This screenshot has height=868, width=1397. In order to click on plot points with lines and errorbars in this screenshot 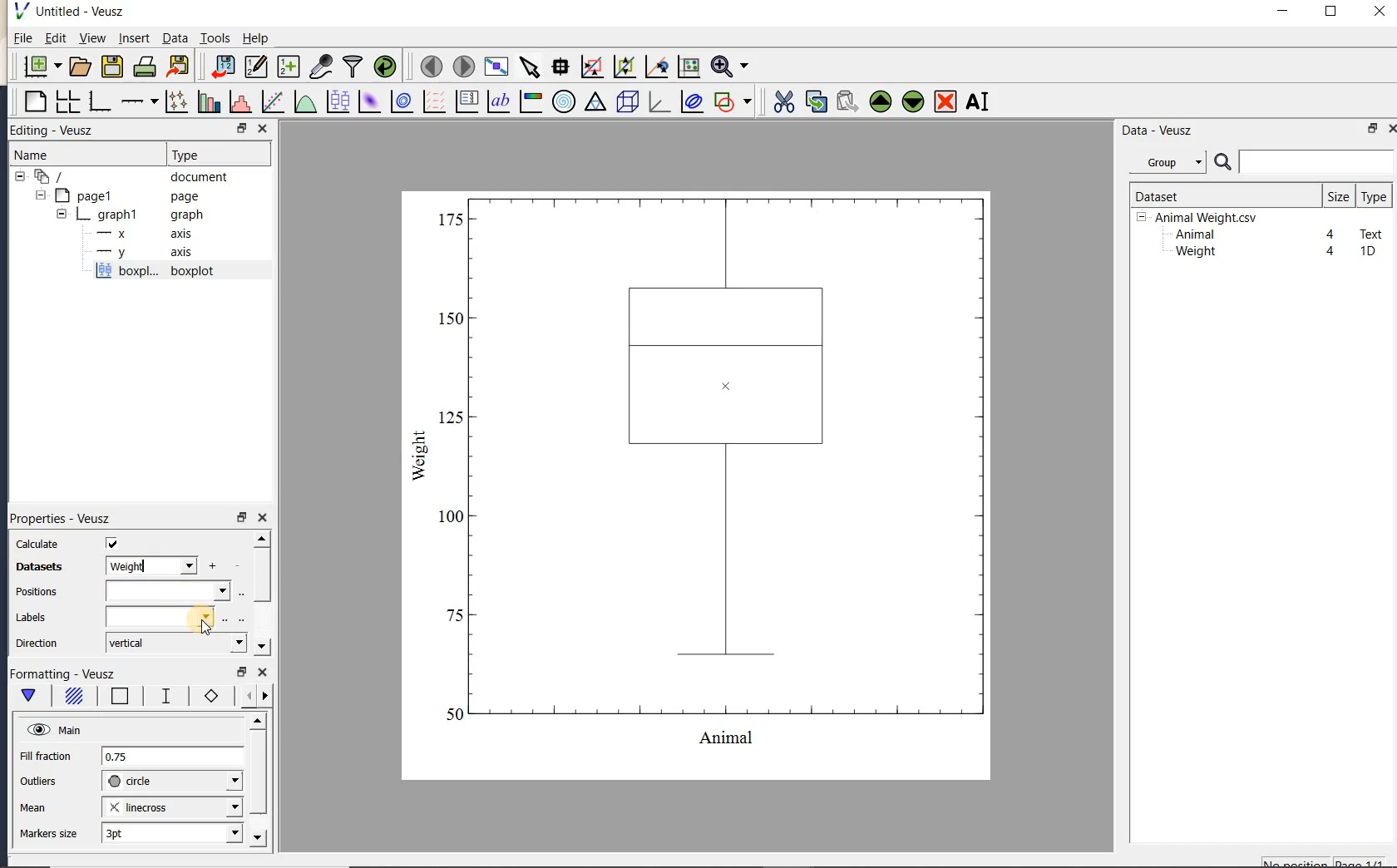, I will do `click(178, 101)`.